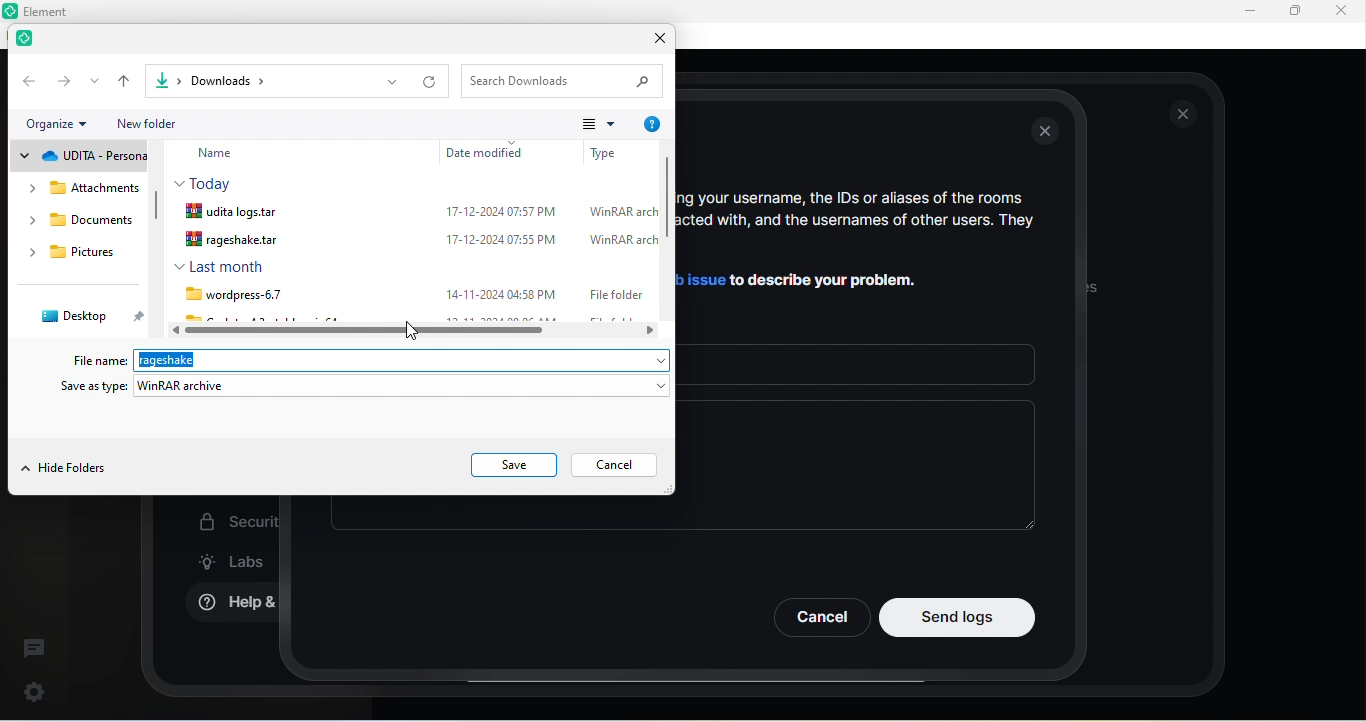  What do you see at coordinates (408, 329) in the screenshot?
I see `cursor` at bounding box center [408, 329].